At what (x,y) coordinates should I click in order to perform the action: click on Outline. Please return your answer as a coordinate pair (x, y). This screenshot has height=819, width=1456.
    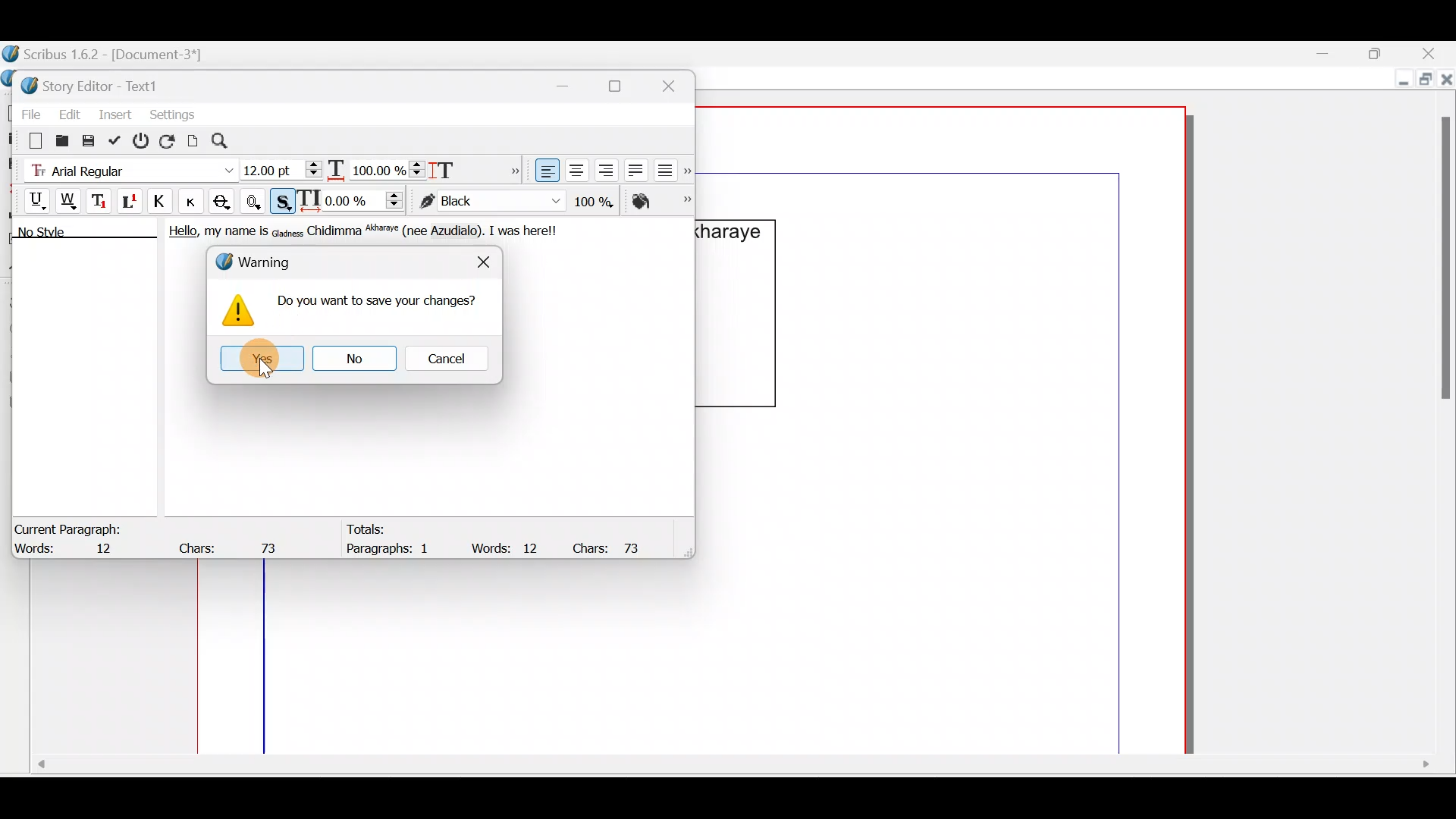
    Looking at the image, I should click on (256, 199).